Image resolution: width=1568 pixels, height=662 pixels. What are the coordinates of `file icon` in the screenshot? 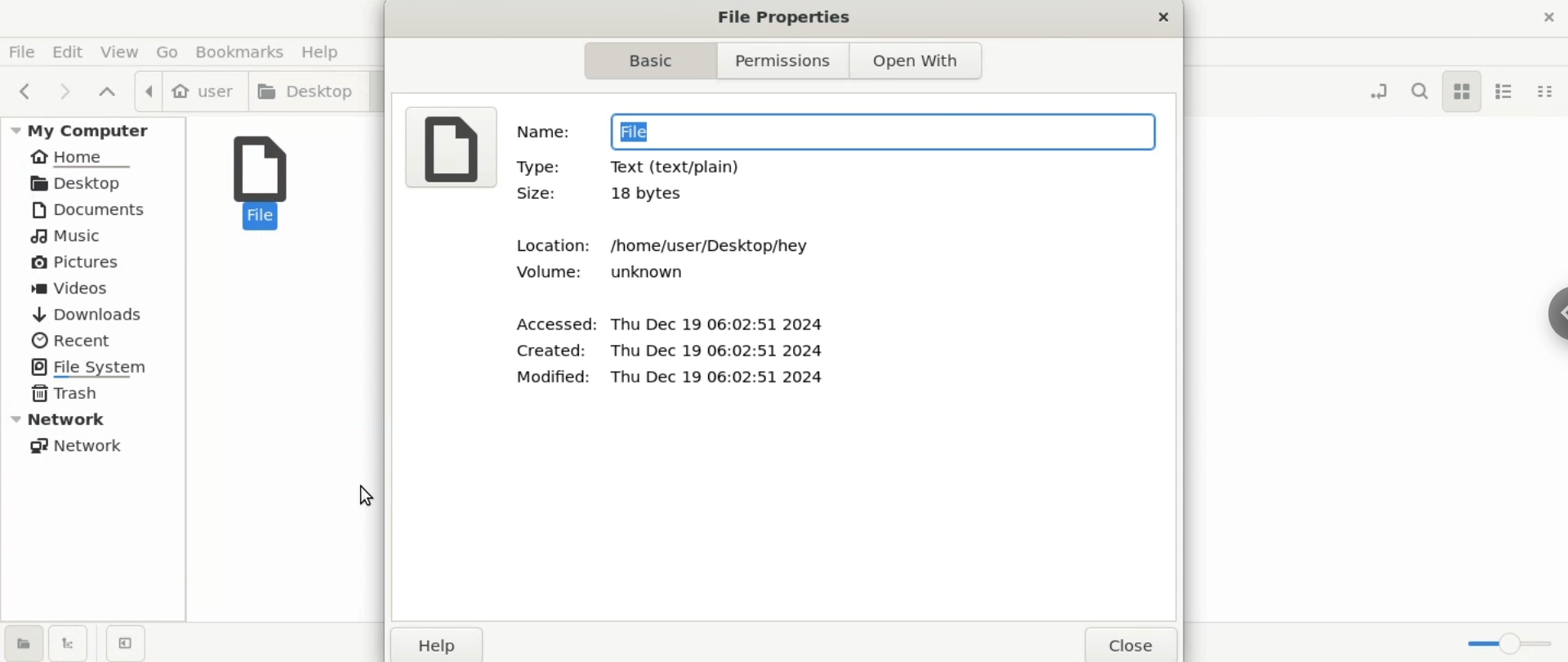 It's located at (454, 145).